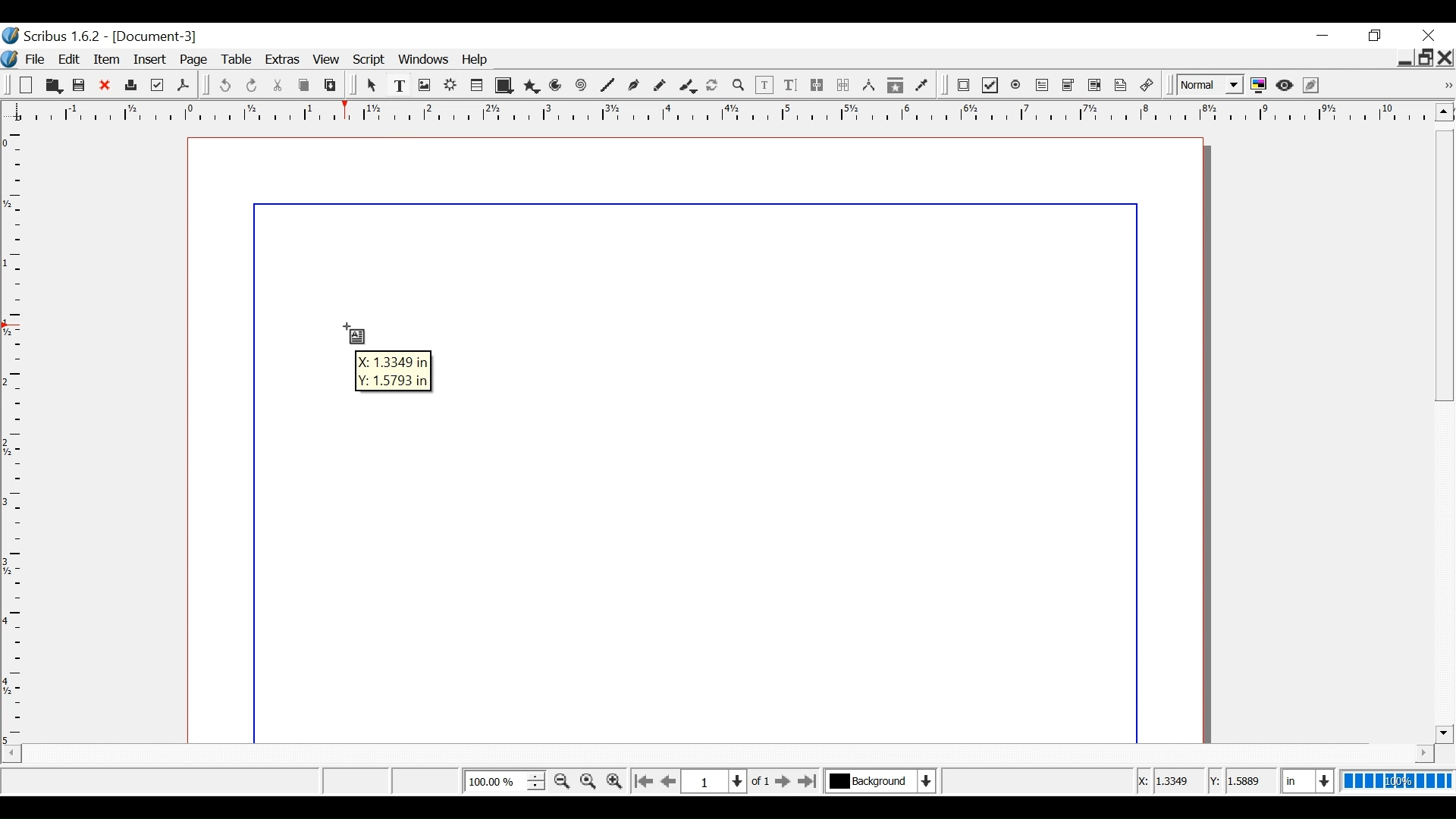 This screenshot has height=819, width=1456. I want to click on Logo, so click(10, 58).